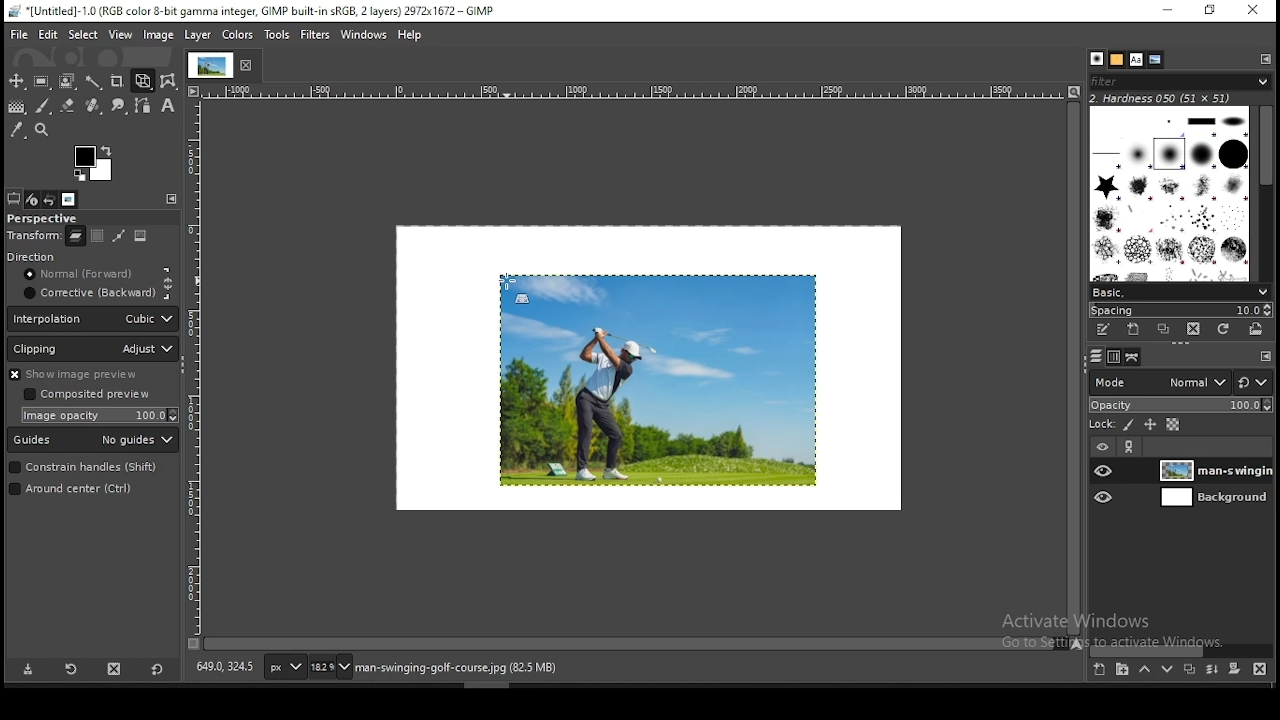  Describe the element at coordinates (82, 35) in the screenshot. I see `select` at that location.